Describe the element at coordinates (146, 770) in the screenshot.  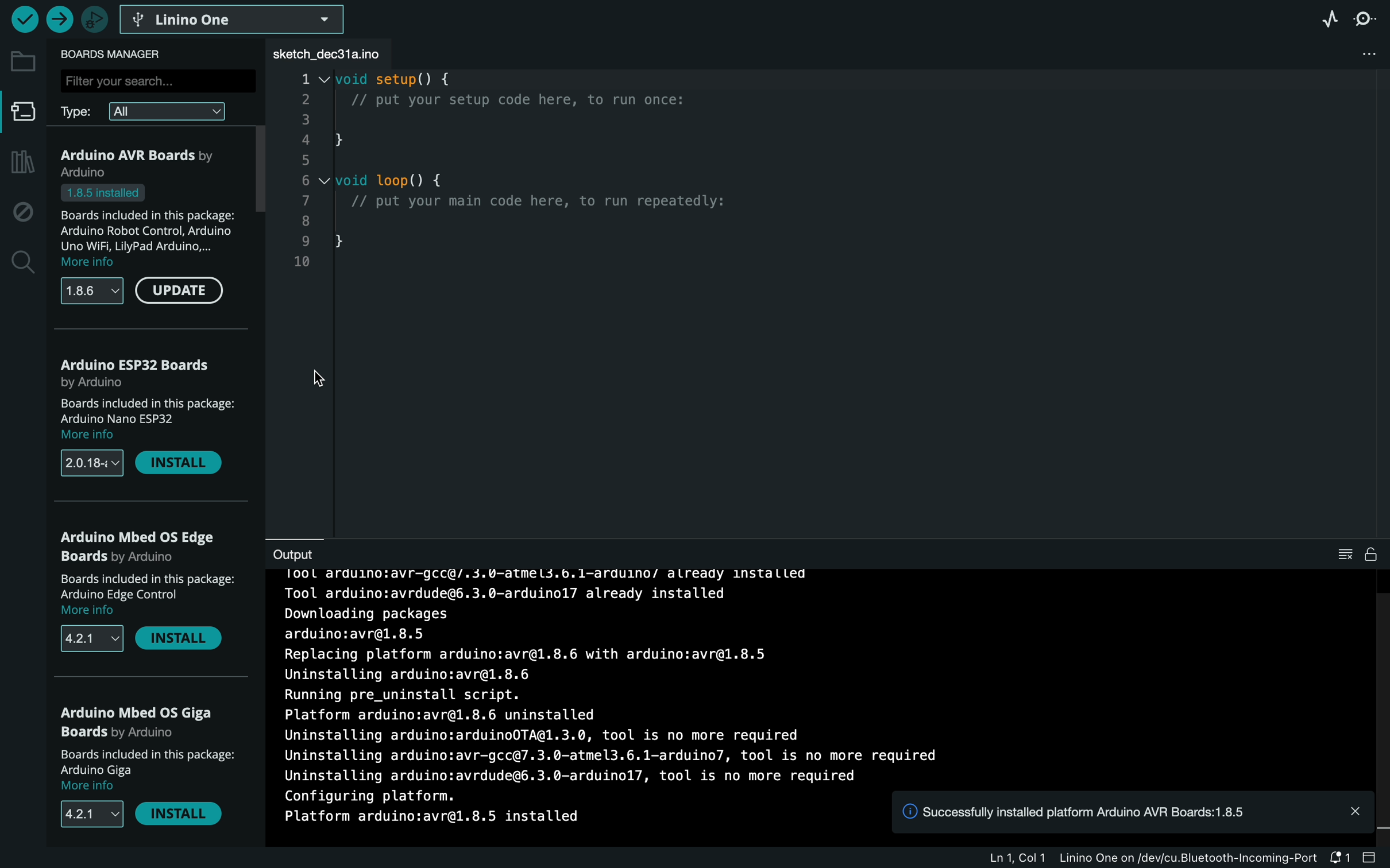
I see `DESCRIPTION` at that location.